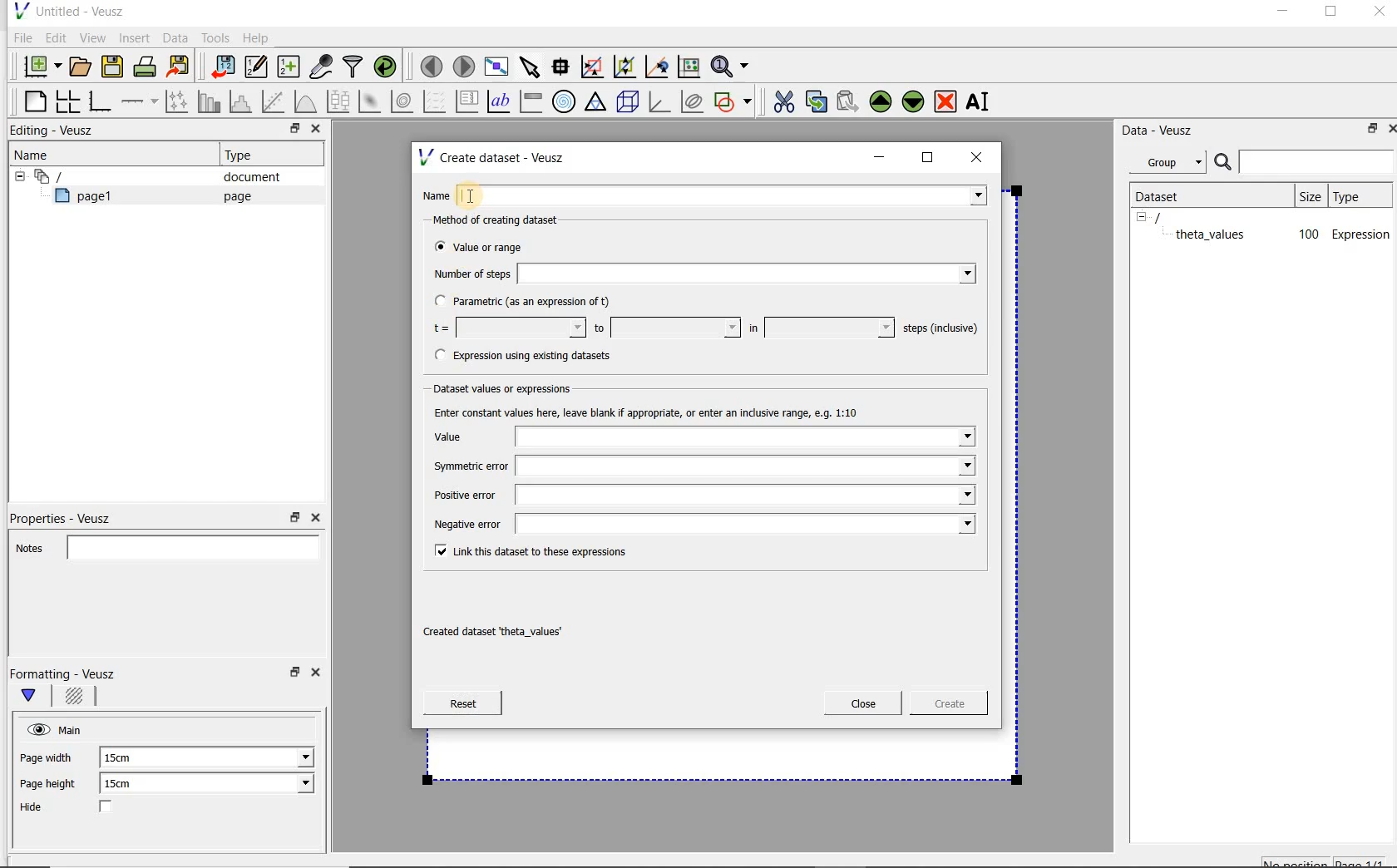  What do you see at coordinates (55, 37) in the screenshot?
I see `Edit` at bounding box center [55, 37].